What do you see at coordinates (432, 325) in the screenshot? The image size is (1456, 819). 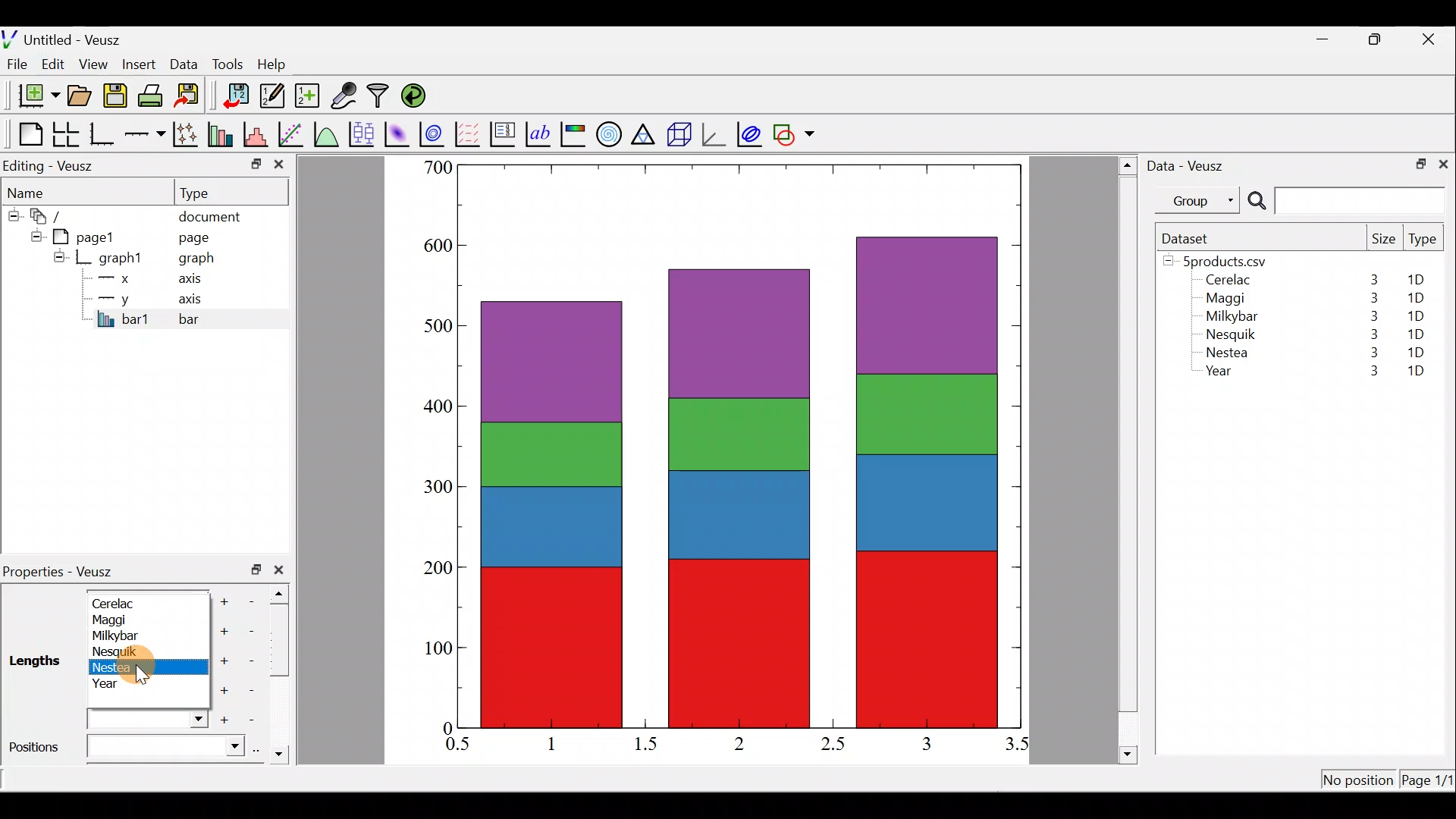 I see `500` at bounding box center [432, 325].